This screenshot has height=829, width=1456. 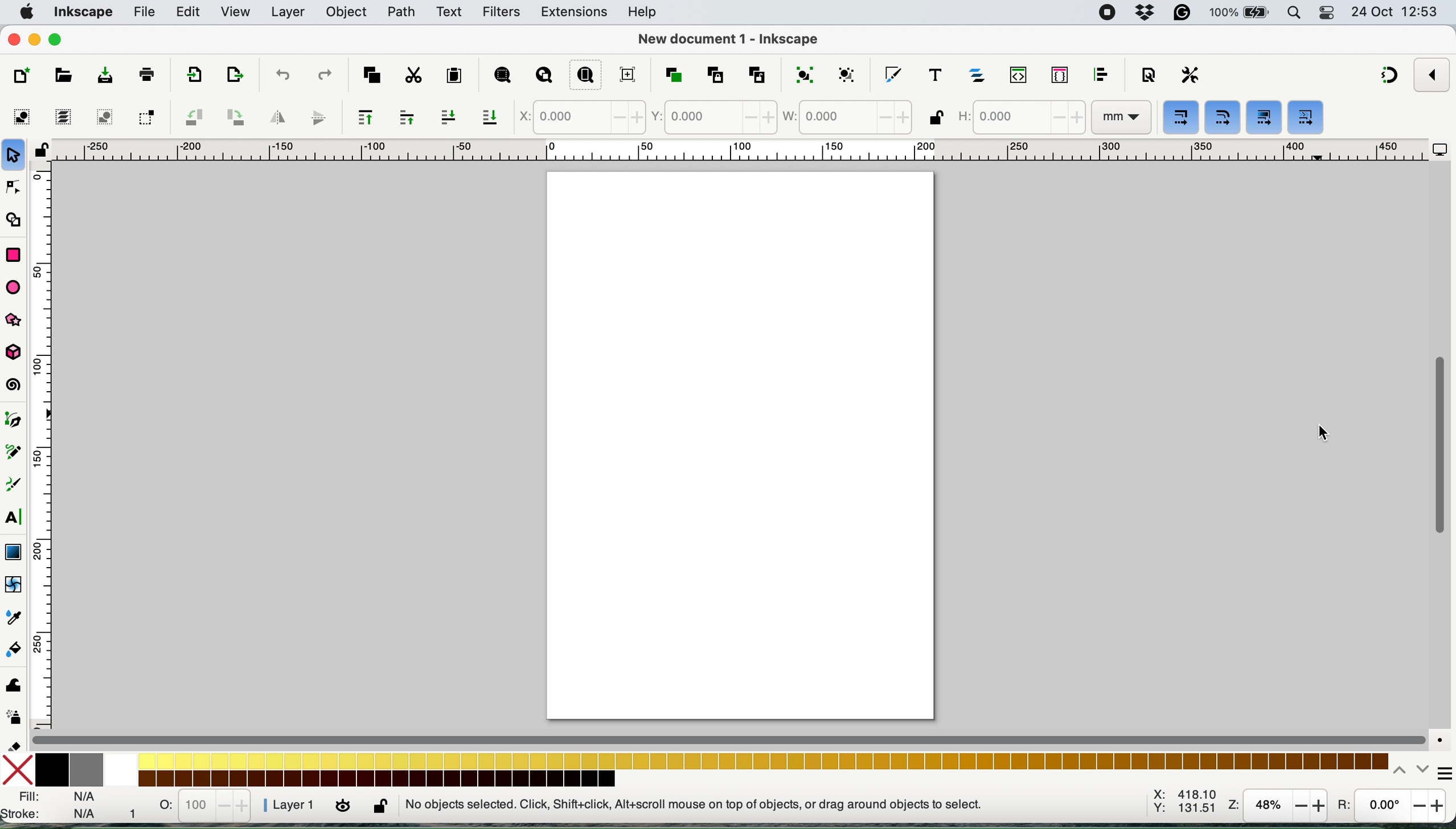 I want to click on rectangle tool, so click(x=14, y=255).